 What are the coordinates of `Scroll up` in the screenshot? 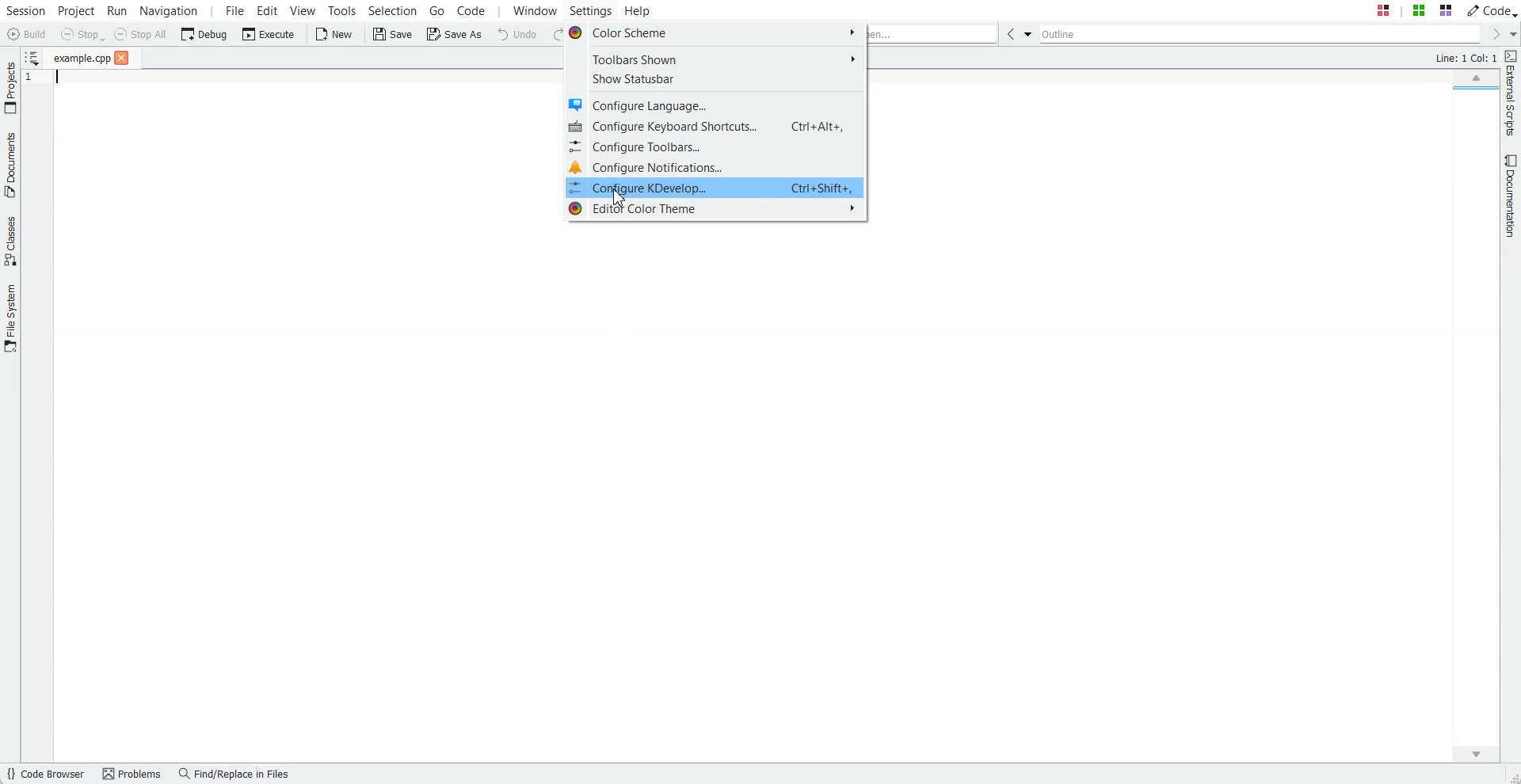 It's located at (1475, 76).